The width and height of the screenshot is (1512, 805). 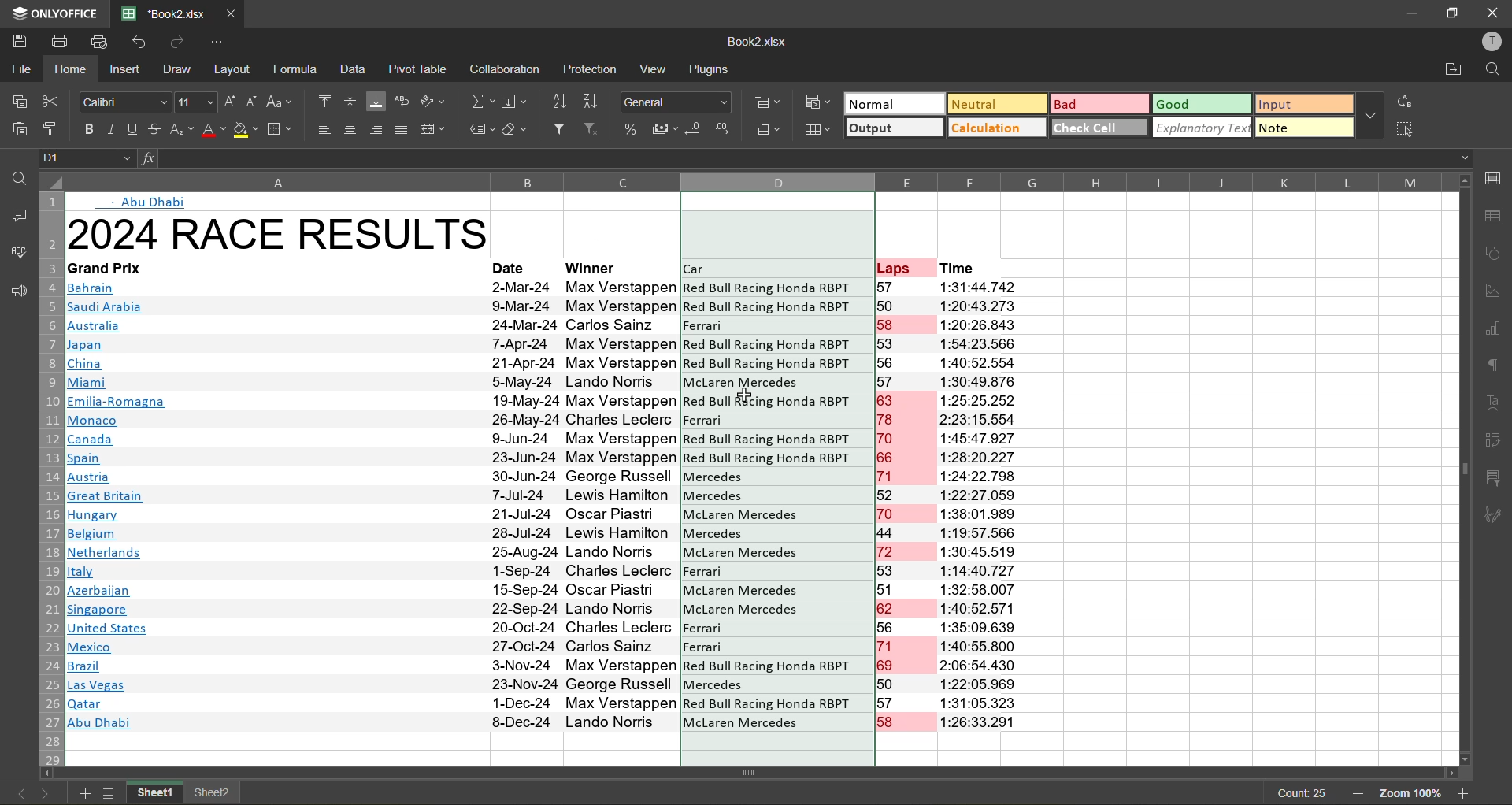 I want to click on next, so click(x=43, y=794).